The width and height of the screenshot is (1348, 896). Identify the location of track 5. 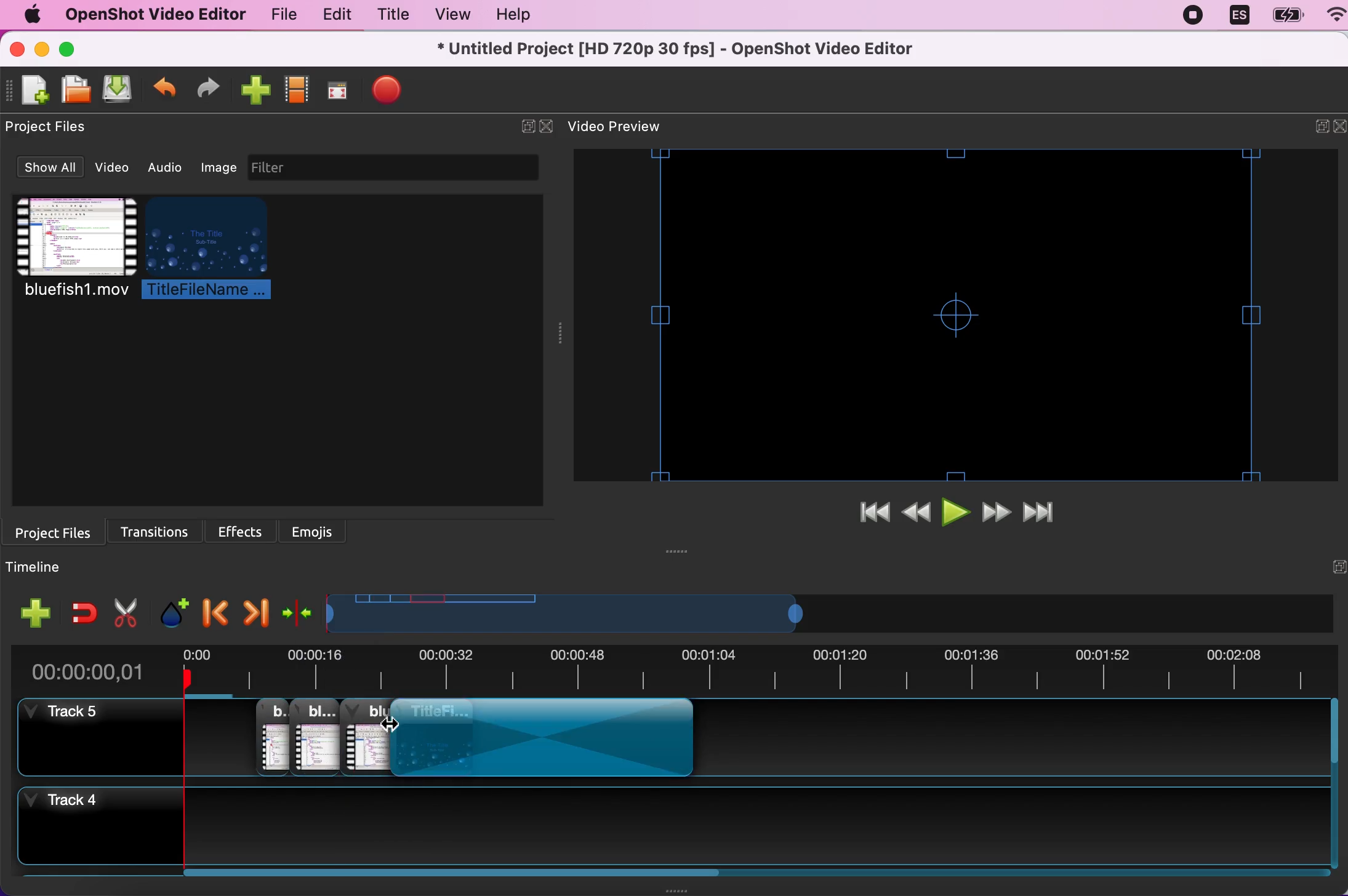
(93, 736).